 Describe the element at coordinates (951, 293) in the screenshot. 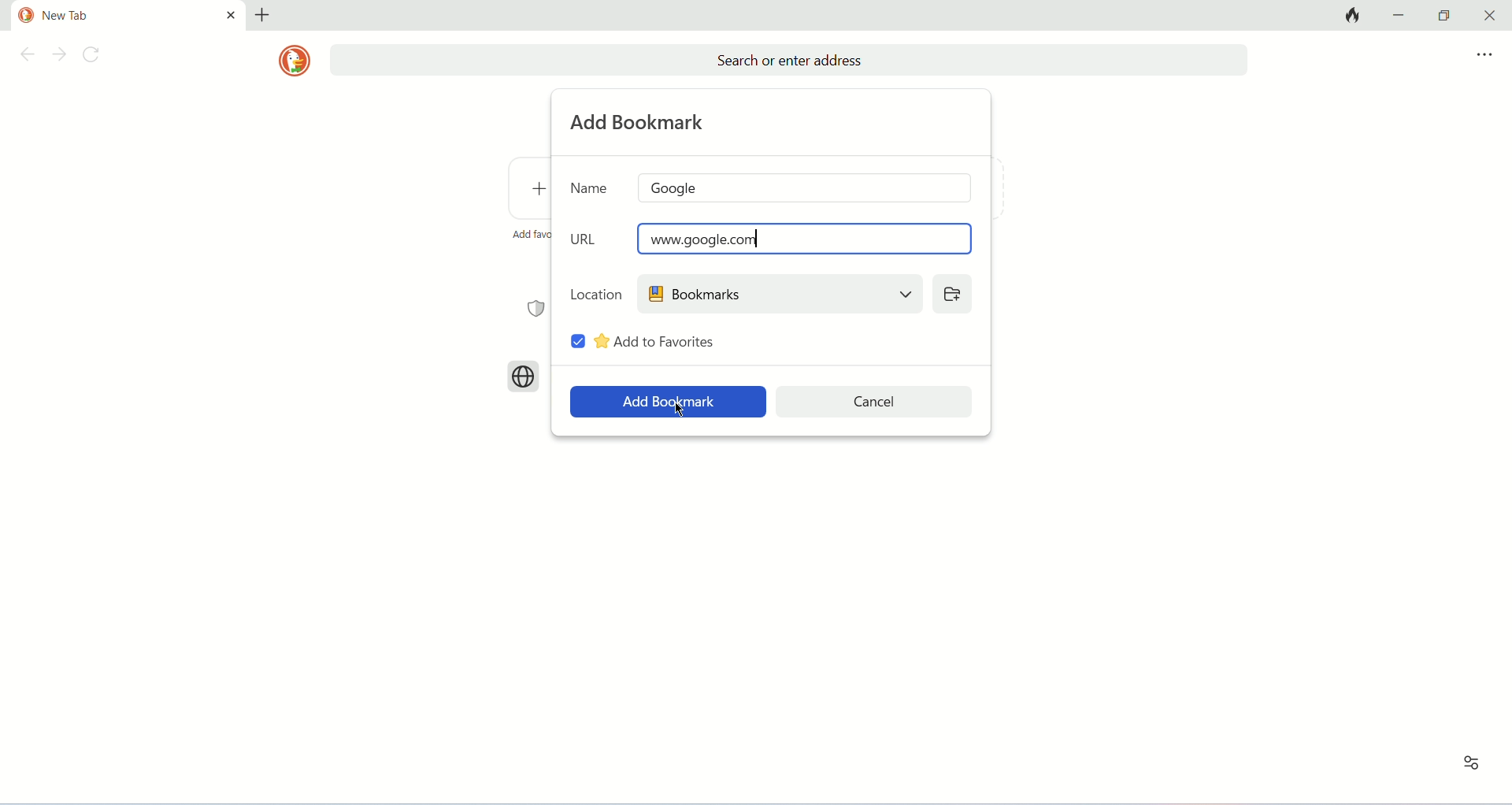

I see `add folder` at that location.